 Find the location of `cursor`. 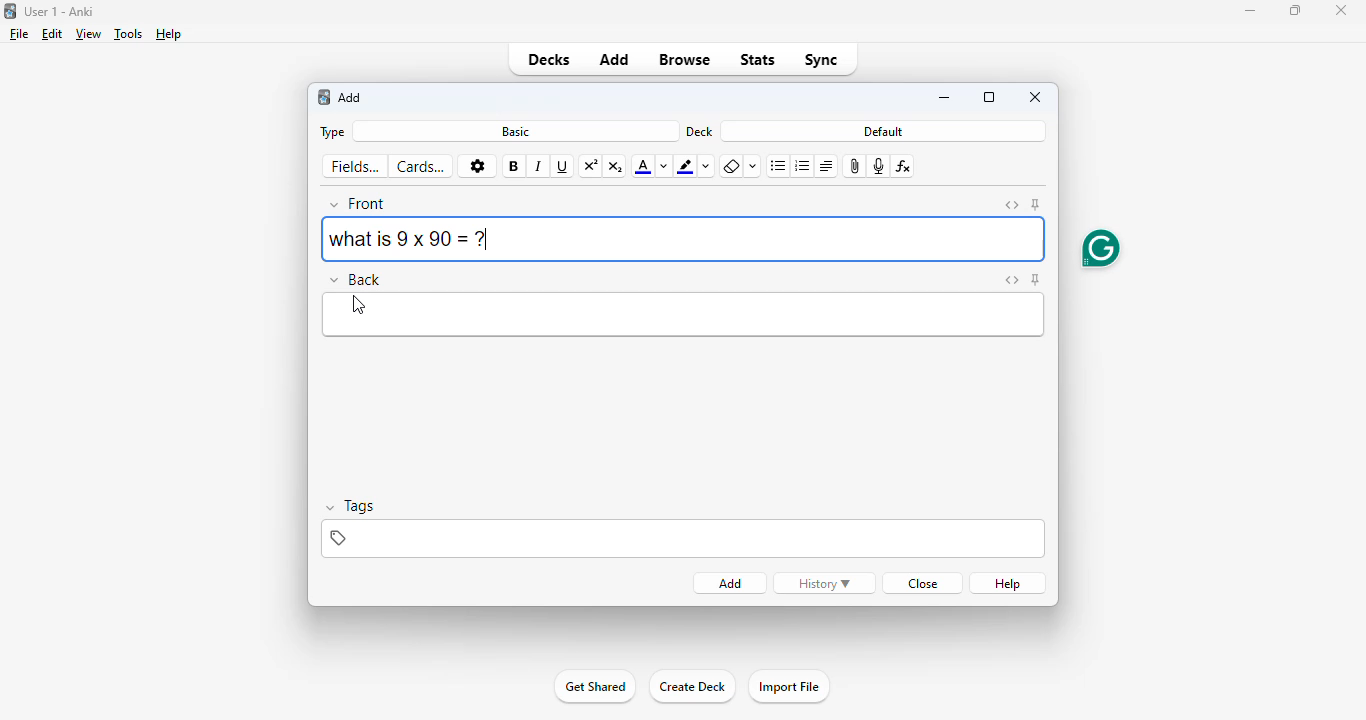

cursor is located at coordinates (360, 304).